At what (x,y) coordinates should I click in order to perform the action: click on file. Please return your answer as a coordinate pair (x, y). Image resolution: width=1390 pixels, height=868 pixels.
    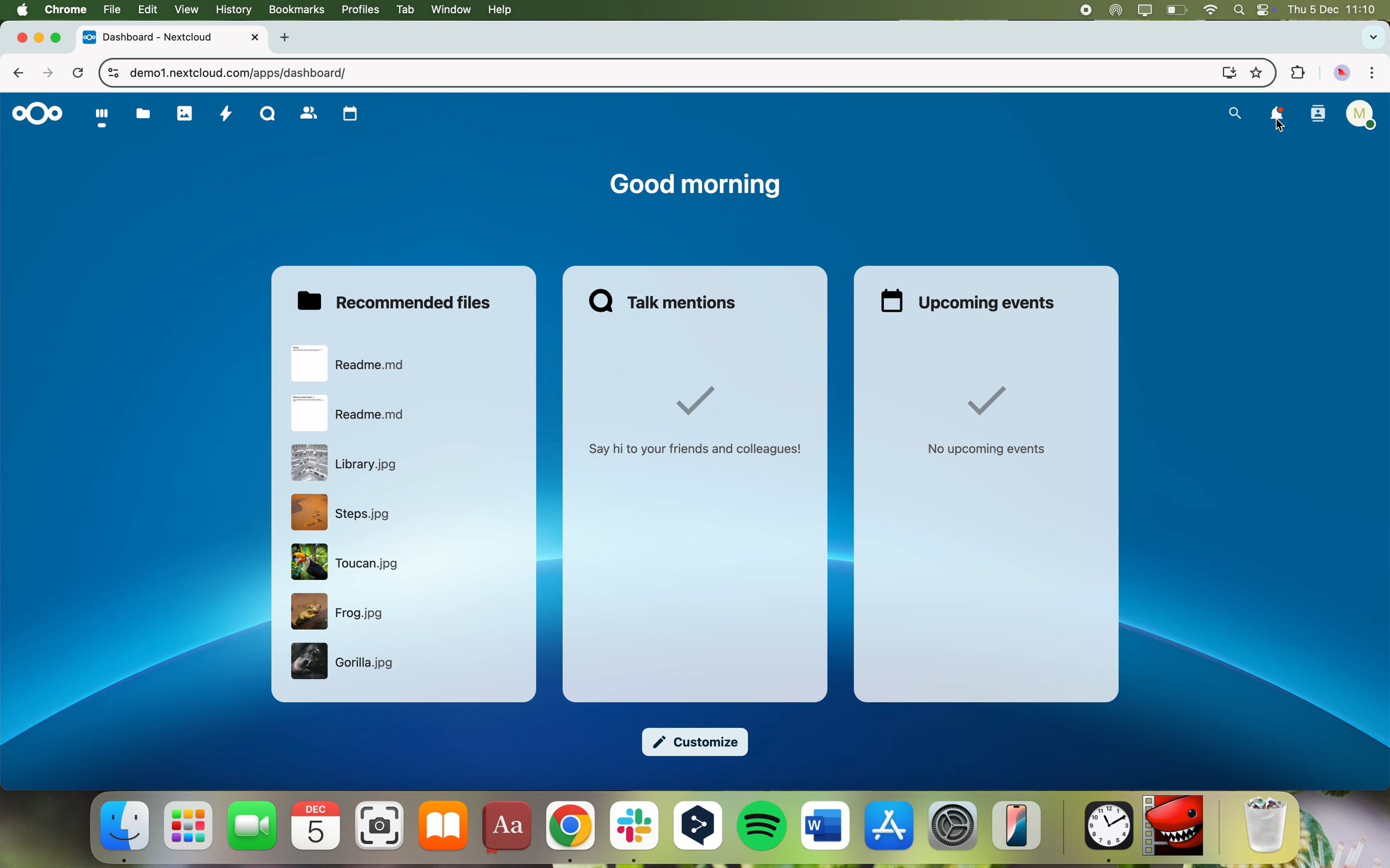
    Looking at the image, I should click on (341, 613).